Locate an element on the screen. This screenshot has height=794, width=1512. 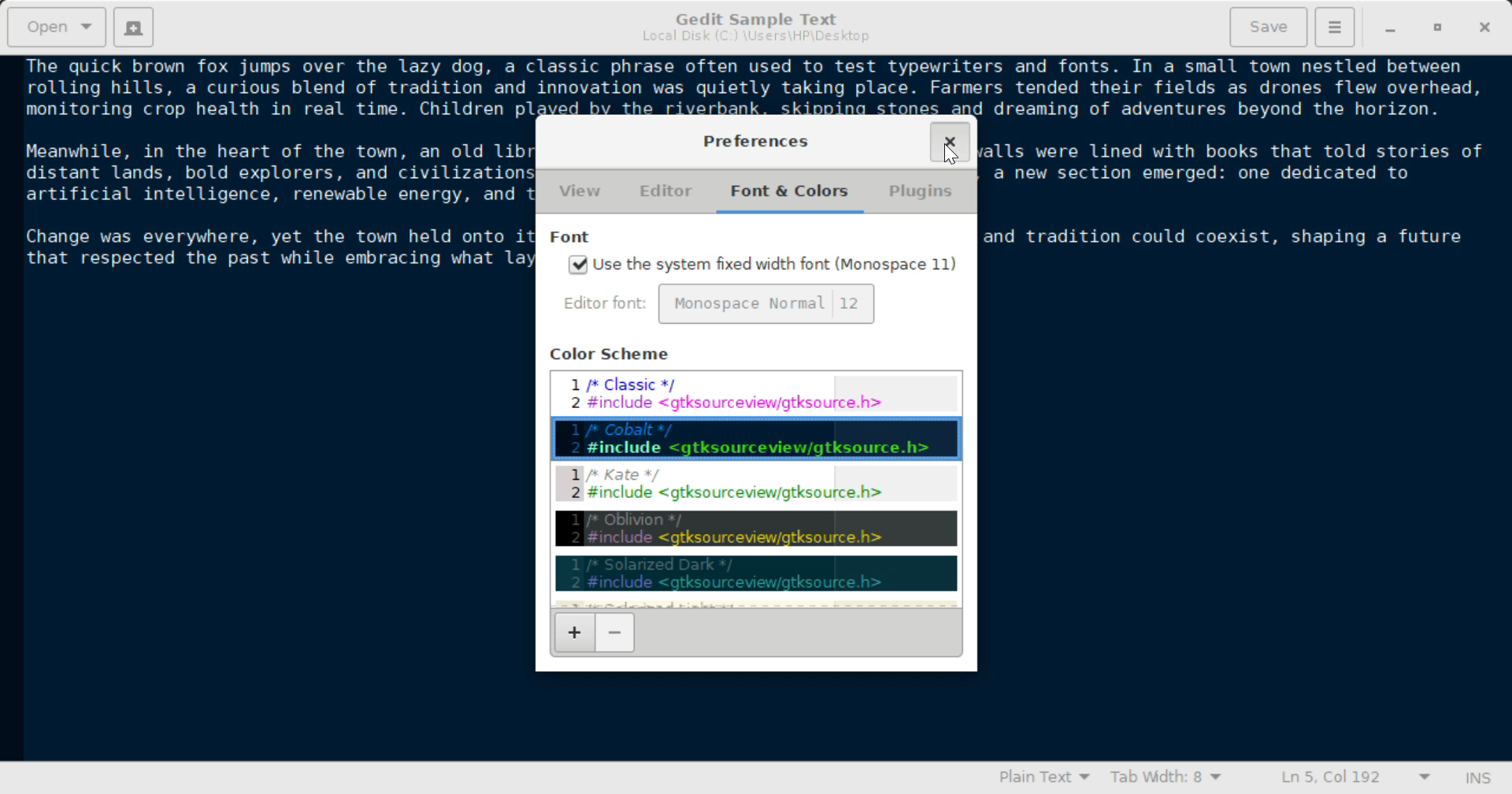
Close Tab is located at coordinates (951, 143).